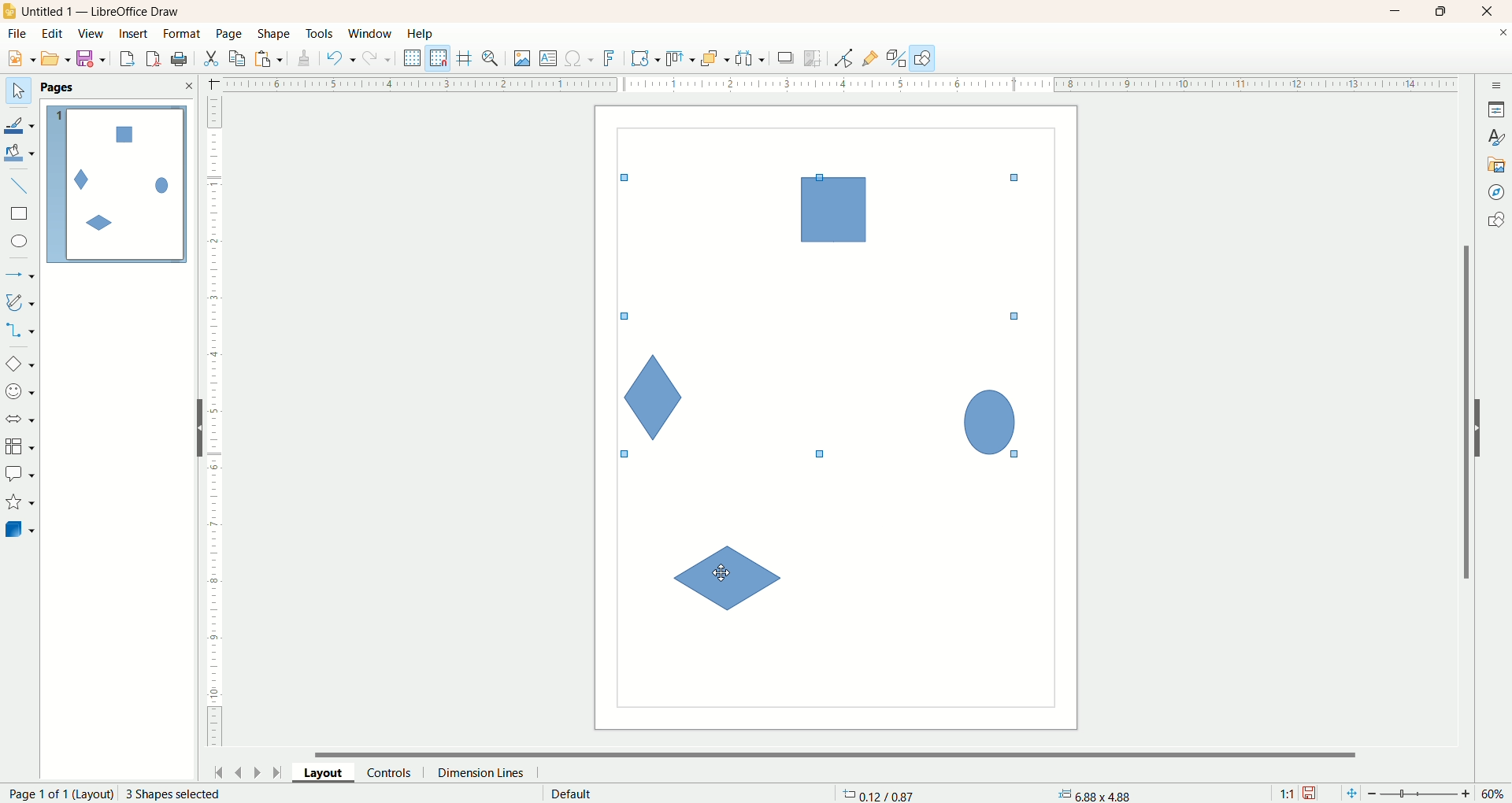  What do you see at coordinates (751, 58) in the screenshot?
I see `select at least three objects to distribute` at bounding box center [751, 58].